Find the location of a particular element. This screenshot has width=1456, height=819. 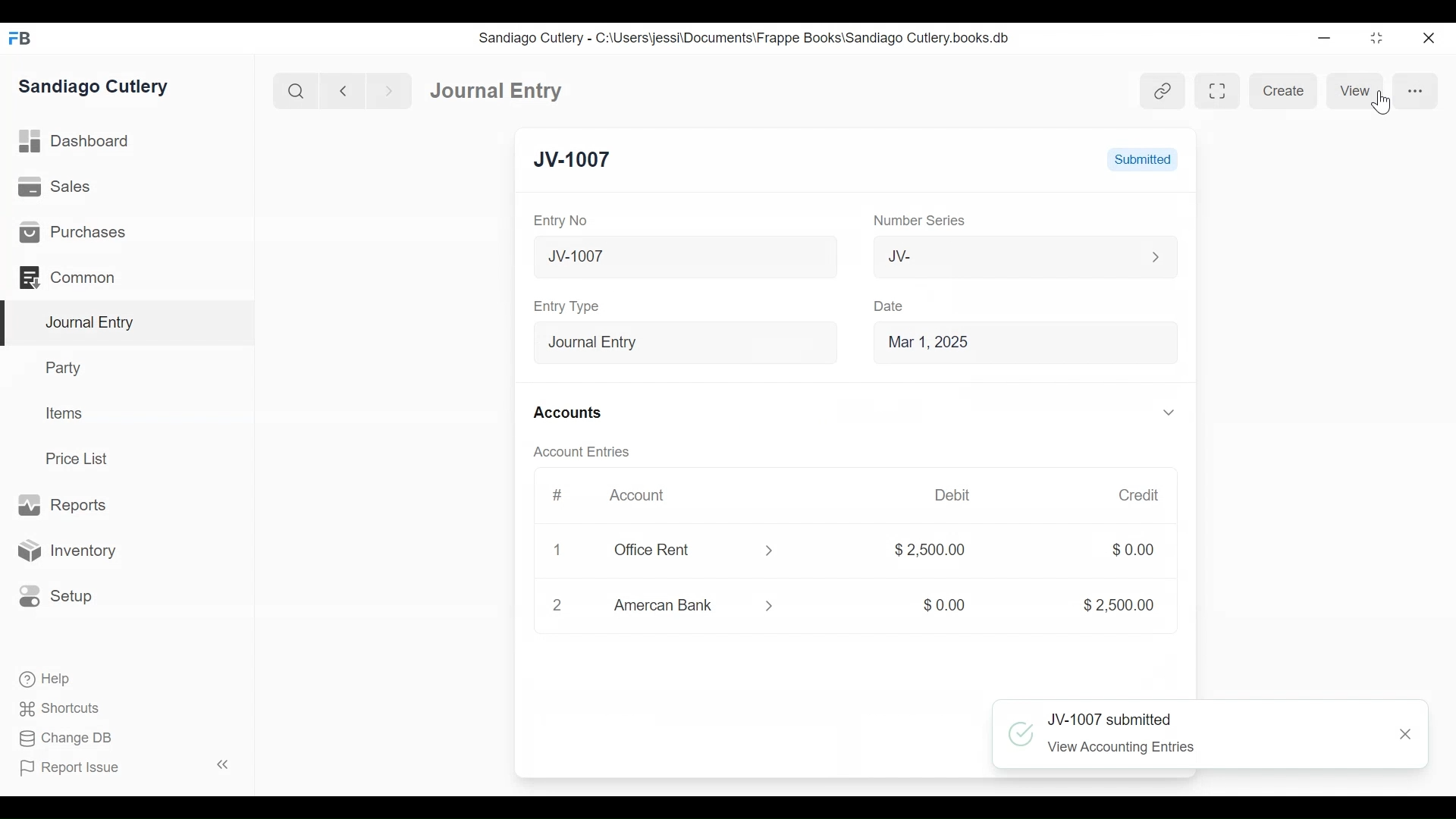

submitted is located at coordinates (1142, 159).